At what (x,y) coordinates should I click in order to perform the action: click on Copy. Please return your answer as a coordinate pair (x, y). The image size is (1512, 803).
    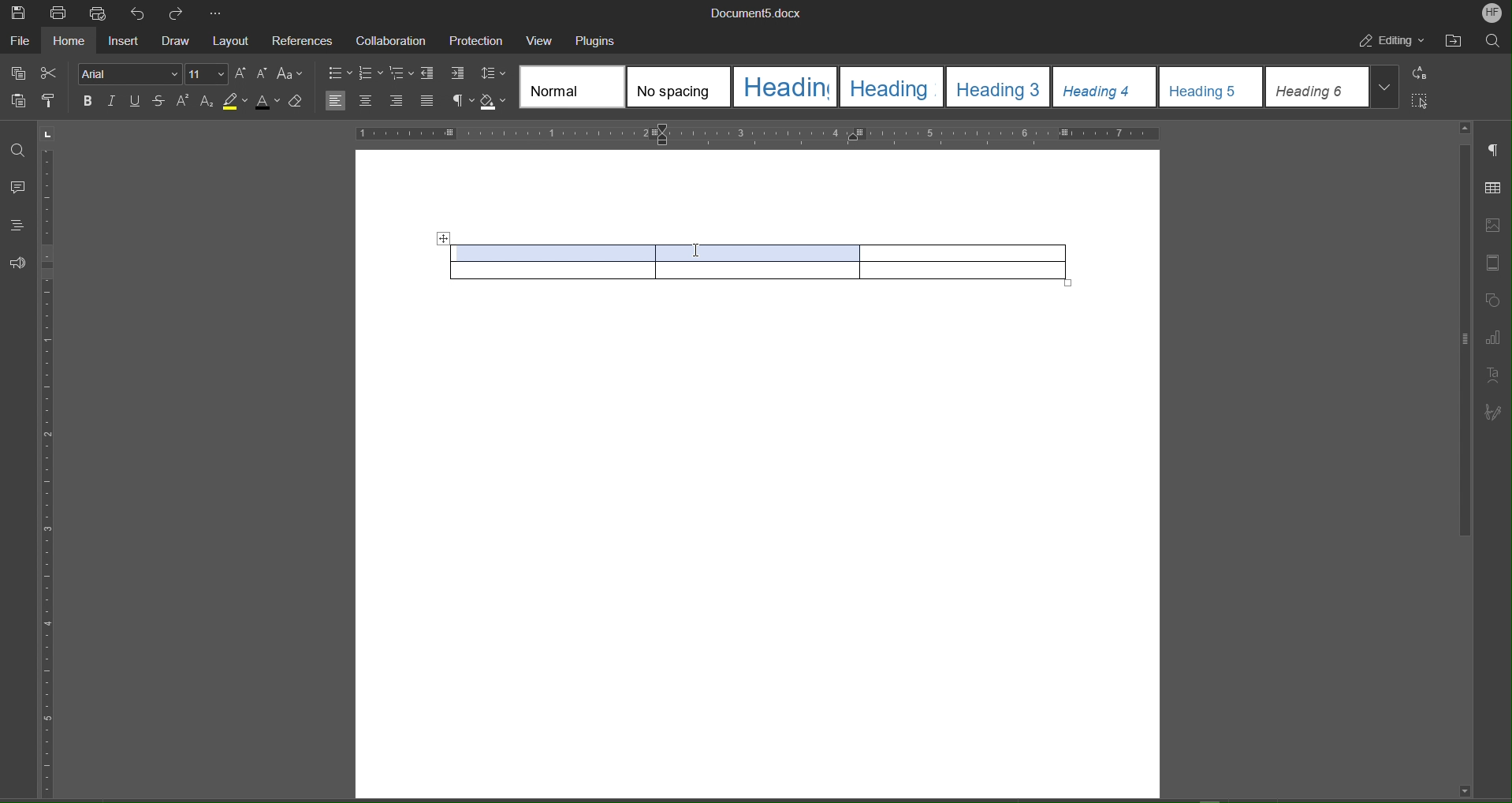
    Looking at the image, I should click on (16, 72).